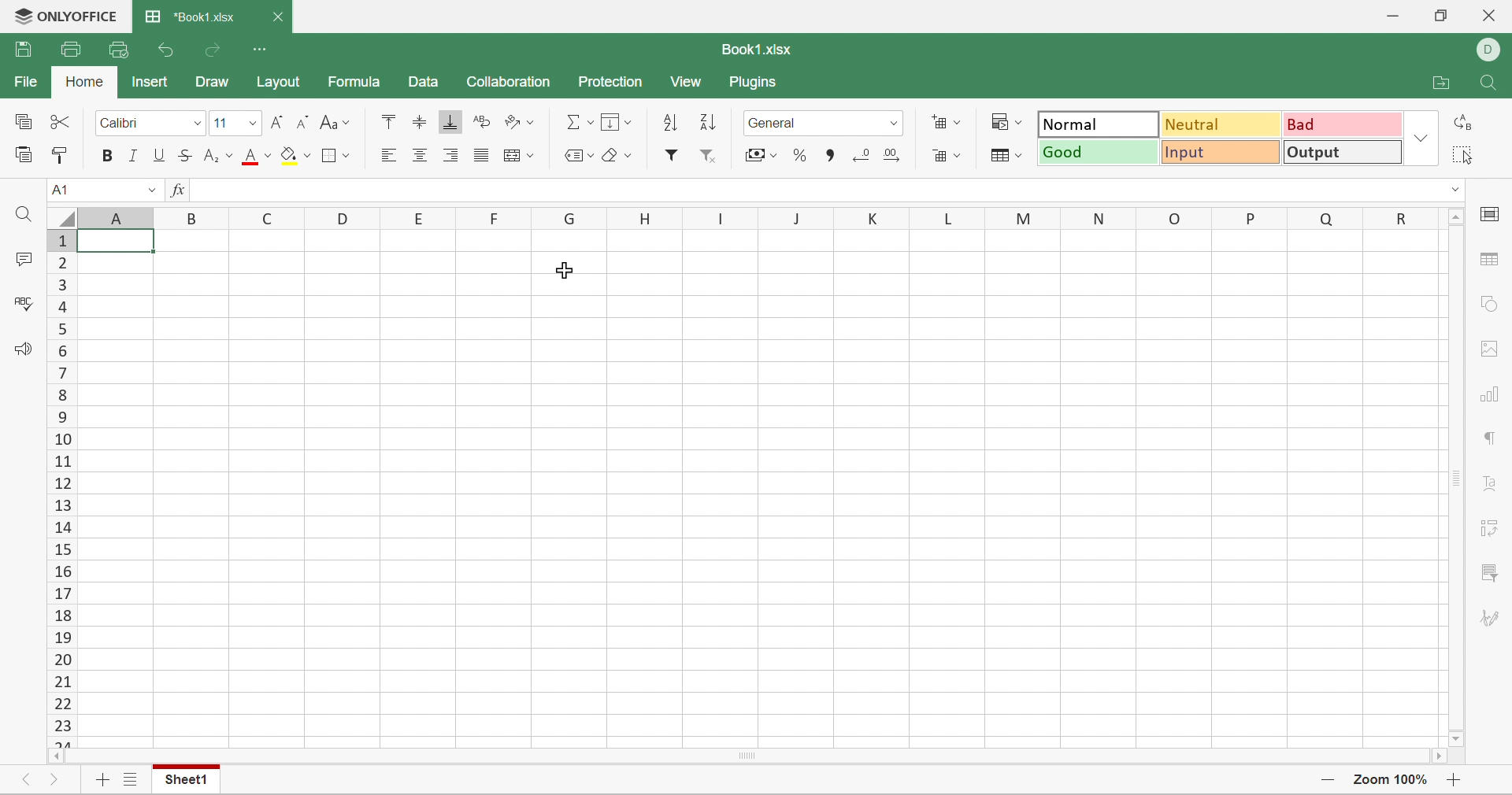 This screenshot has height=795, width=1512. I want to click on Drop Down, so click(143, 189).